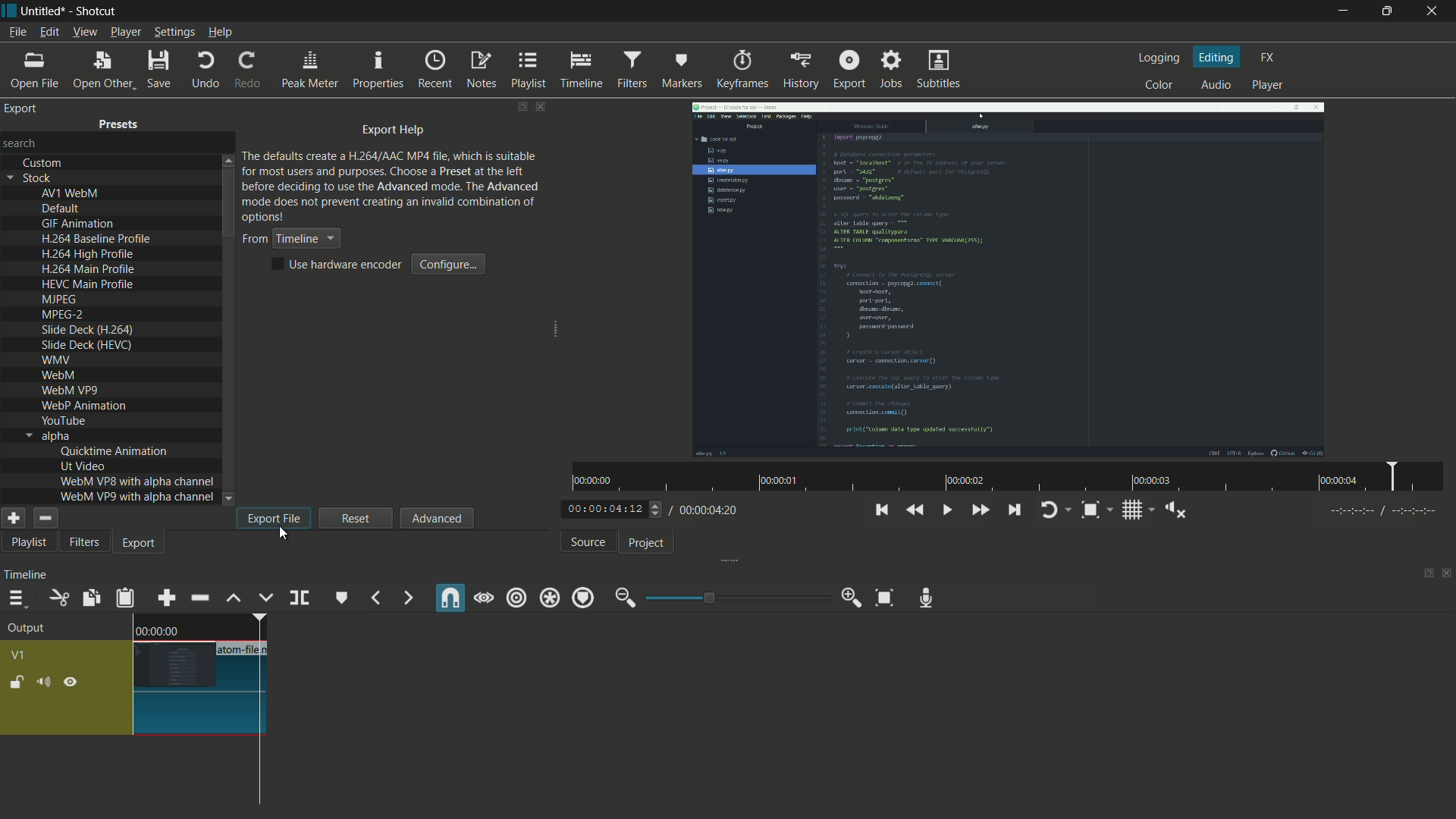  What do you see at coordinates (1158, 58) in the screenshot?
I see `logging` at bounding box center [1158, 58].